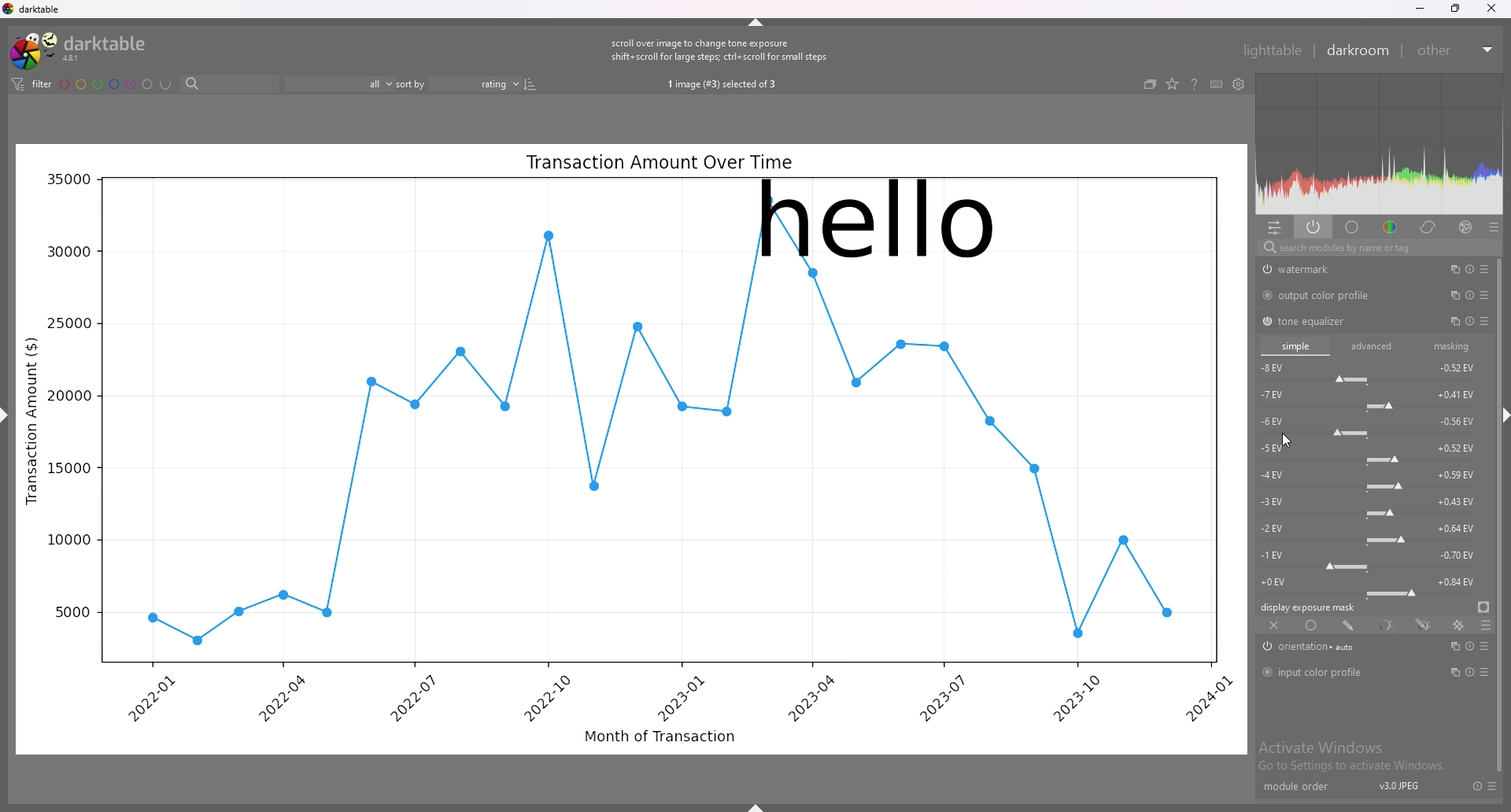 This screenshot has width=1511, height=812. What do you see at coordinates (1375, 505) in the screenshot?
I see `-3 EV force` at bounding box center [1375, 505].